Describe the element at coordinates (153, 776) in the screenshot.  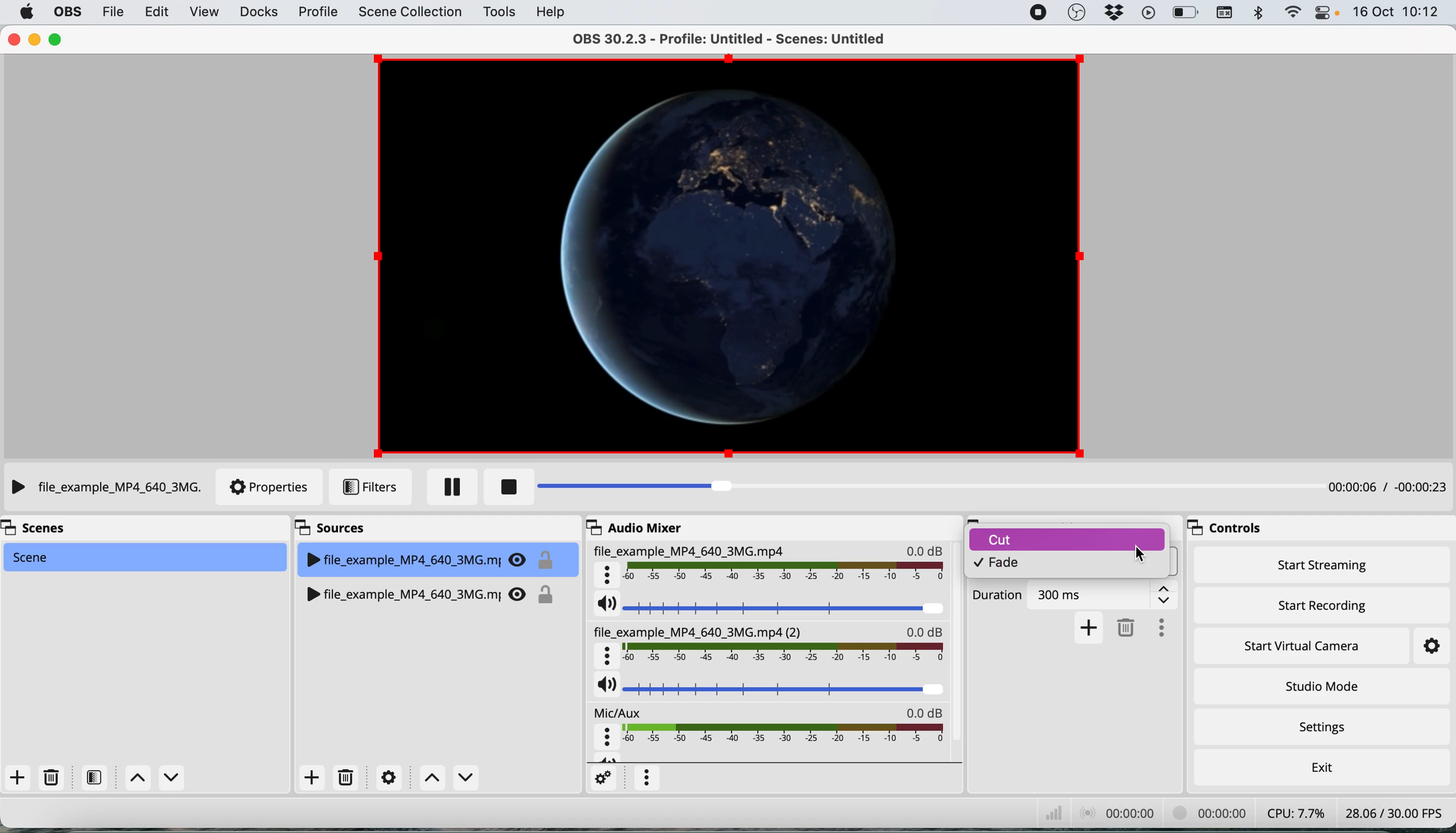
I see `switch between scenes` at that location.